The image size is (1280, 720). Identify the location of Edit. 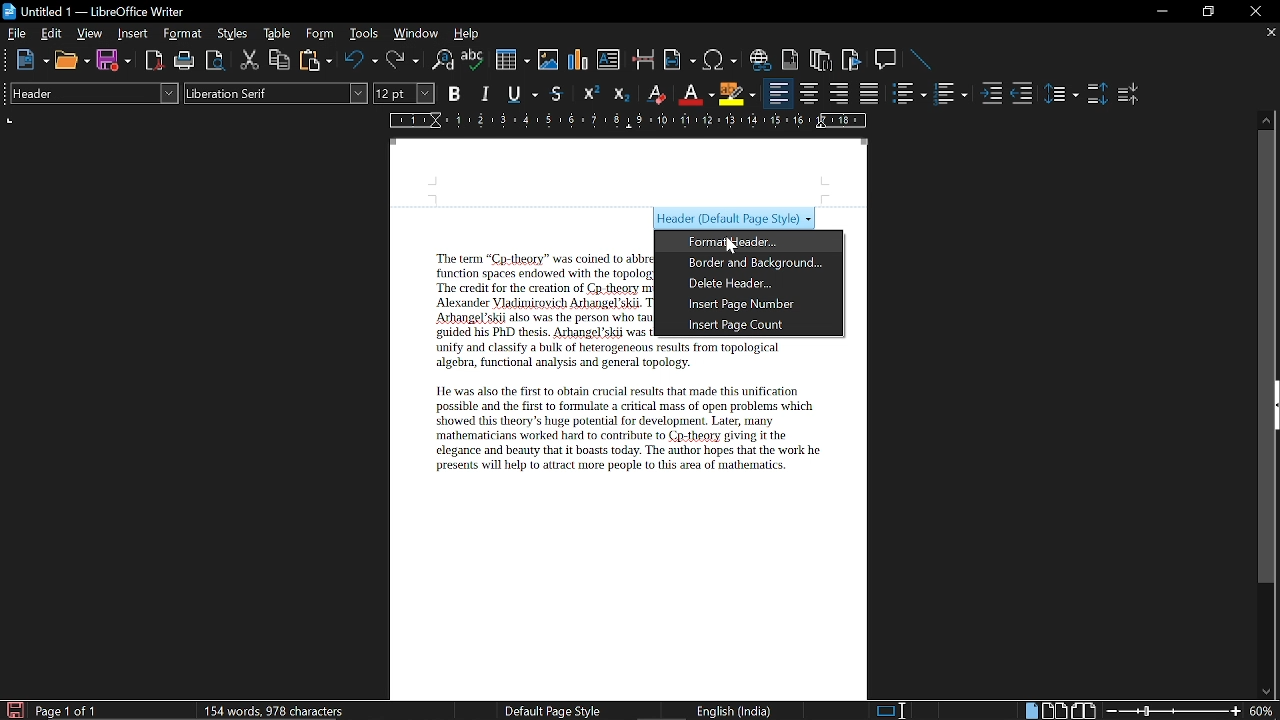
(52, 33).